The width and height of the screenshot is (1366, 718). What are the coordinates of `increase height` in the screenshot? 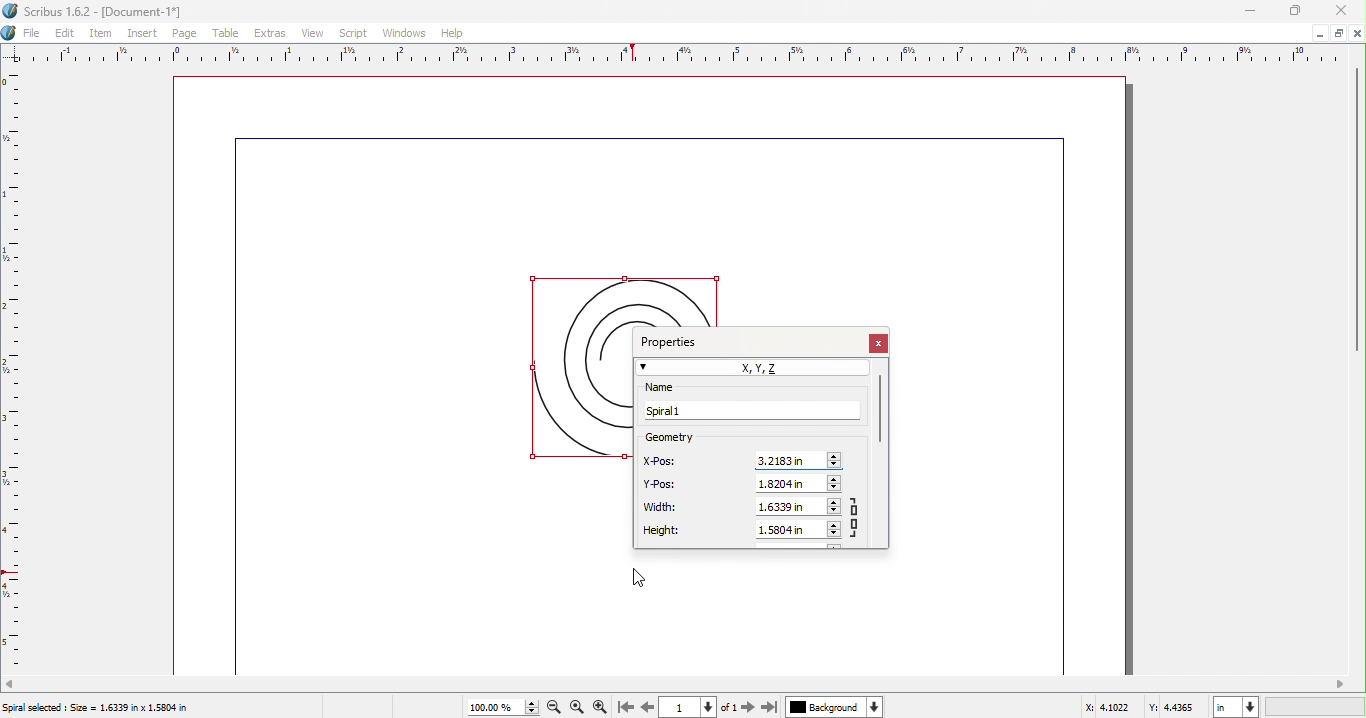 It's located at (834, 524).